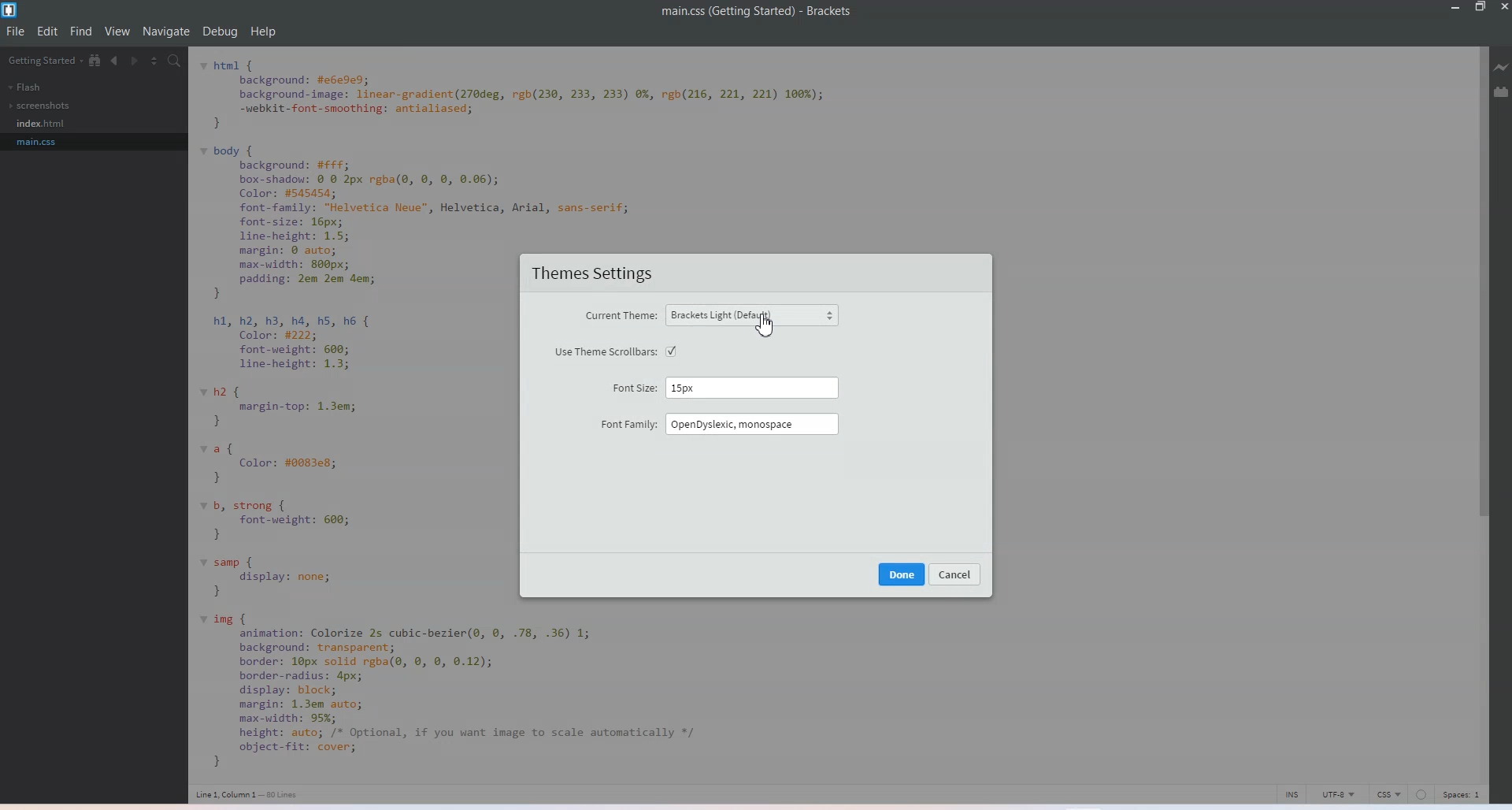 Image resolution: width=1512 pixels, height=810 pixels. Describe the element at coordinates (41, 142) in the screenshot. I see `main.css` at that location.